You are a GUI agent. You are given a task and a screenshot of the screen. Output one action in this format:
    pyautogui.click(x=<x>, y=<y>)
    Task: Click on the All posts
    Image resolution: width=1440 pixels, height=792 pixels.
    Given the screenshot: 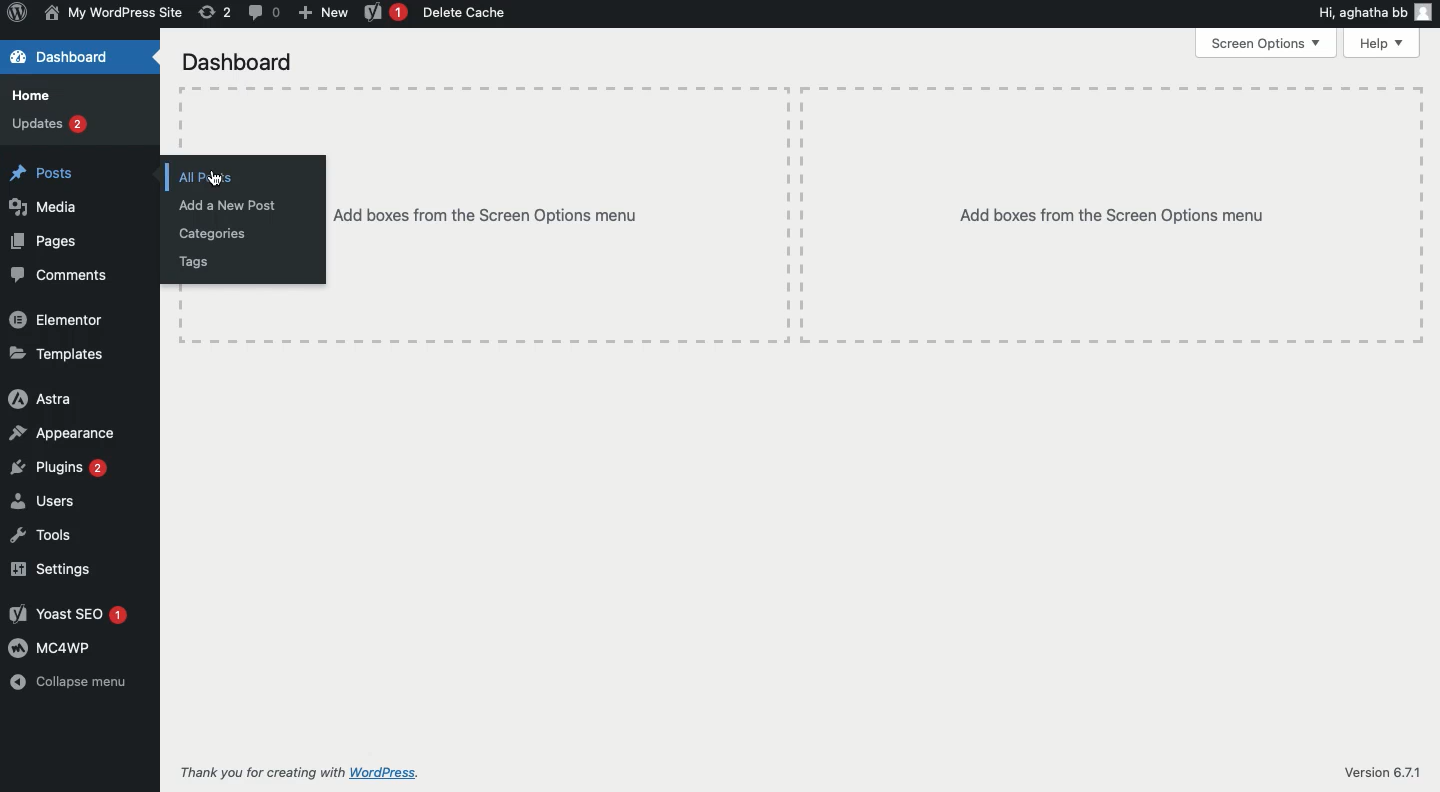 What is the action you would take?
    pyautogui.click(x=204, y=177)
    